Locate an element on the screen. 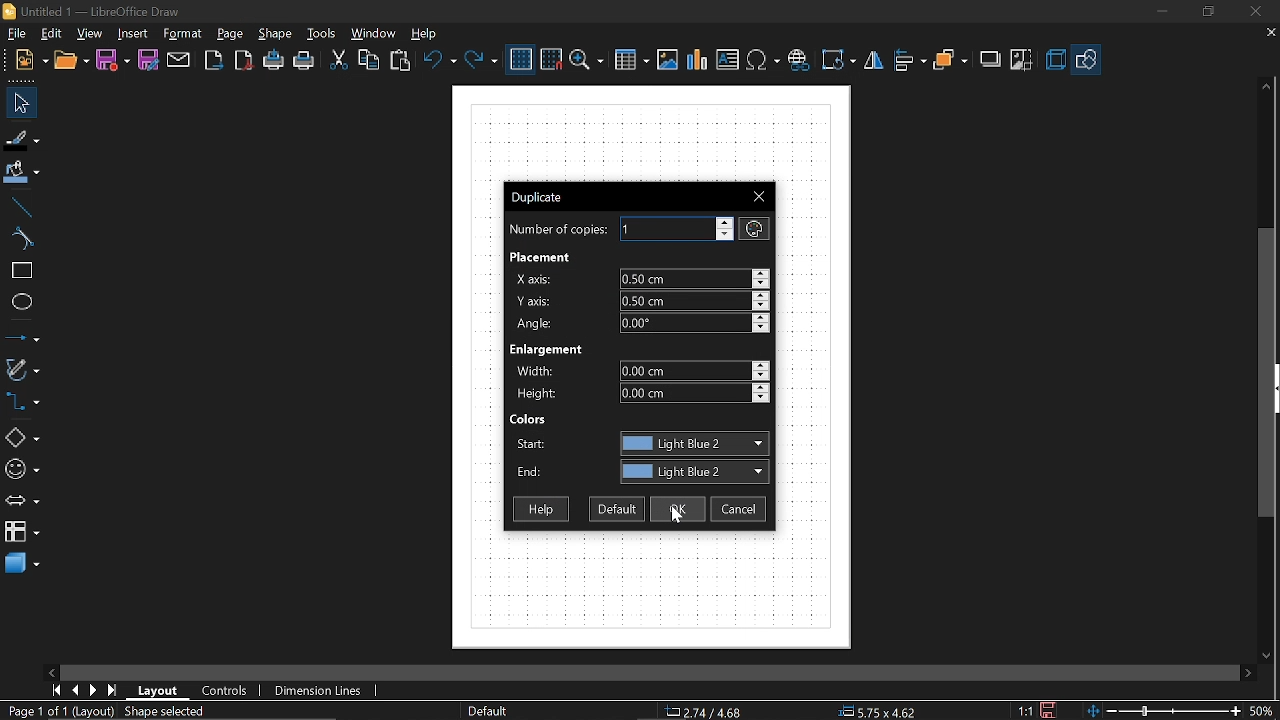 The width and height of the screenshot is (1280, 720). Height is located at coordinates (538, 394).